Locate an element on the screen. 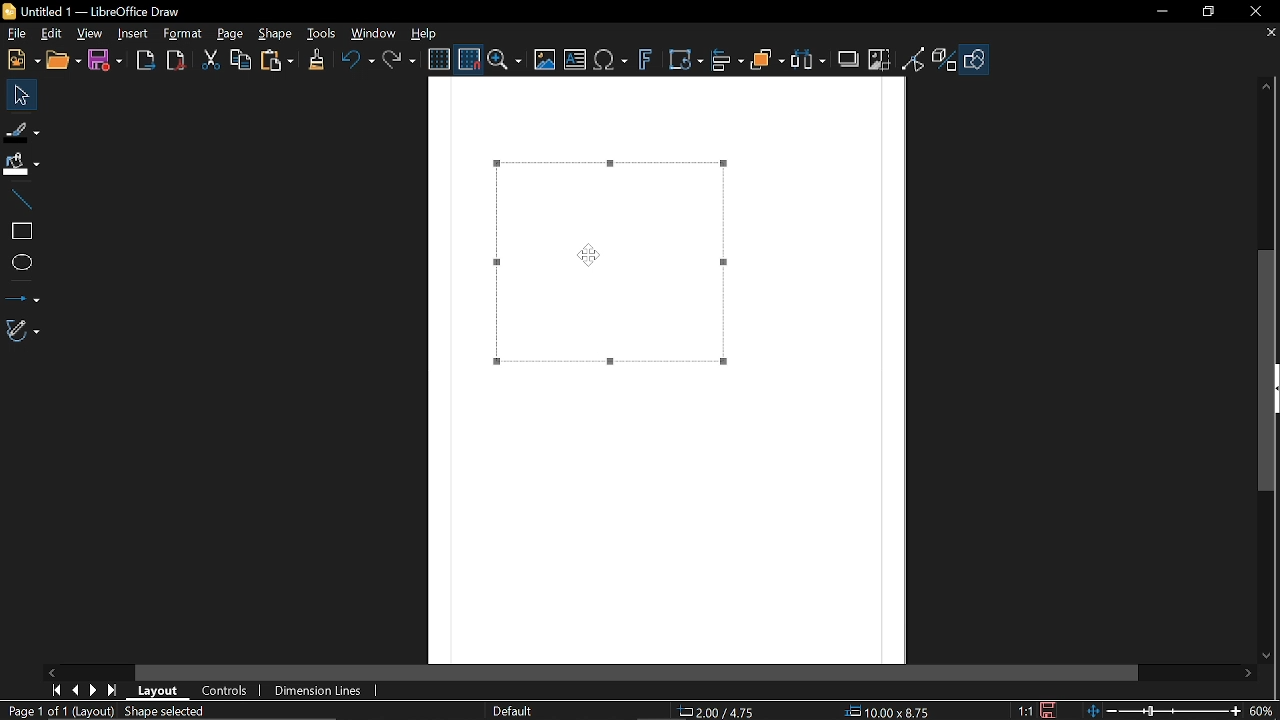 This screenshot has height=720, width=1280. Position is located at coordinates (720, 712).